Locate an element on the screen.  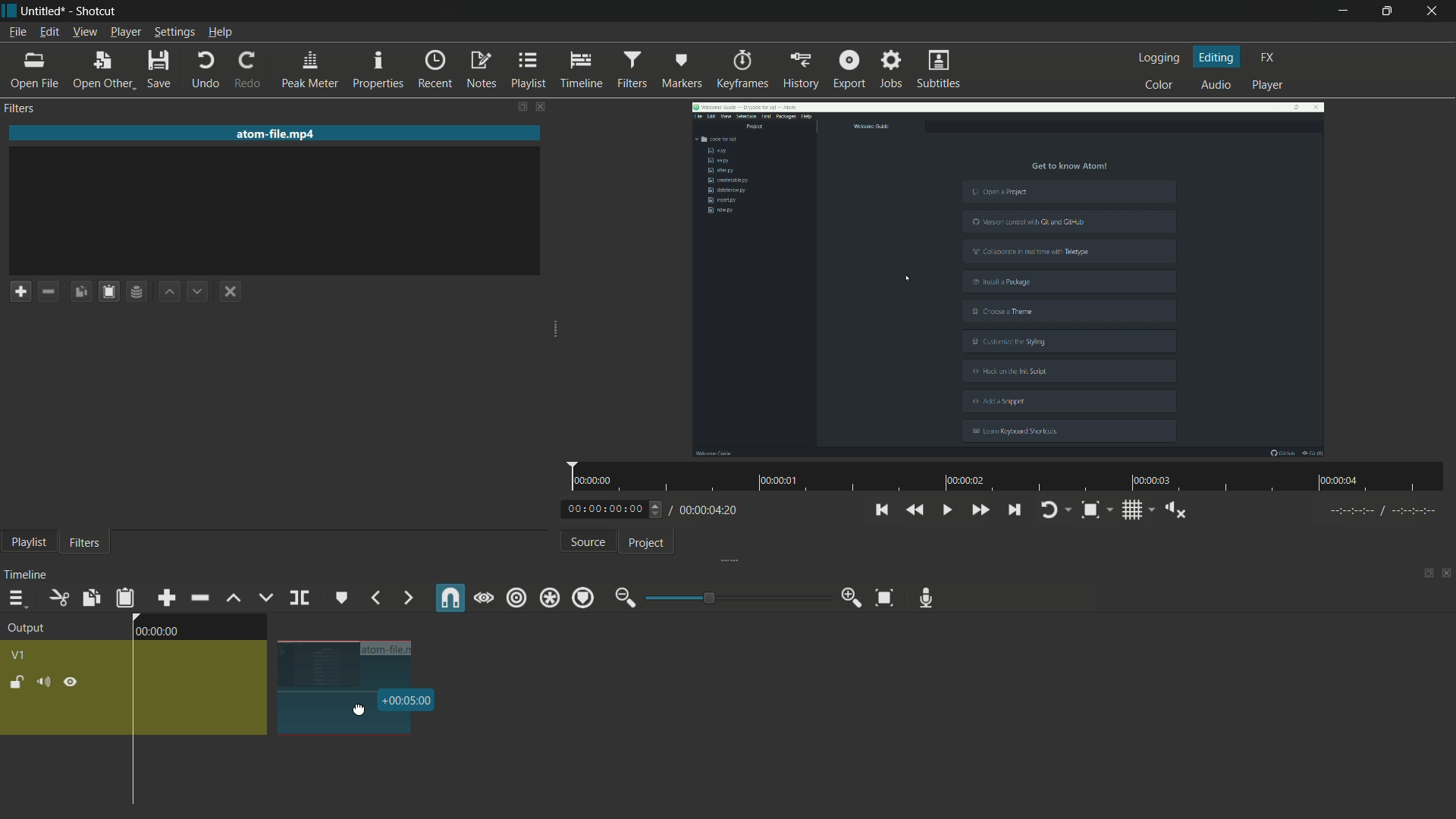
toggle grid is located at coordinates (1131, 509).